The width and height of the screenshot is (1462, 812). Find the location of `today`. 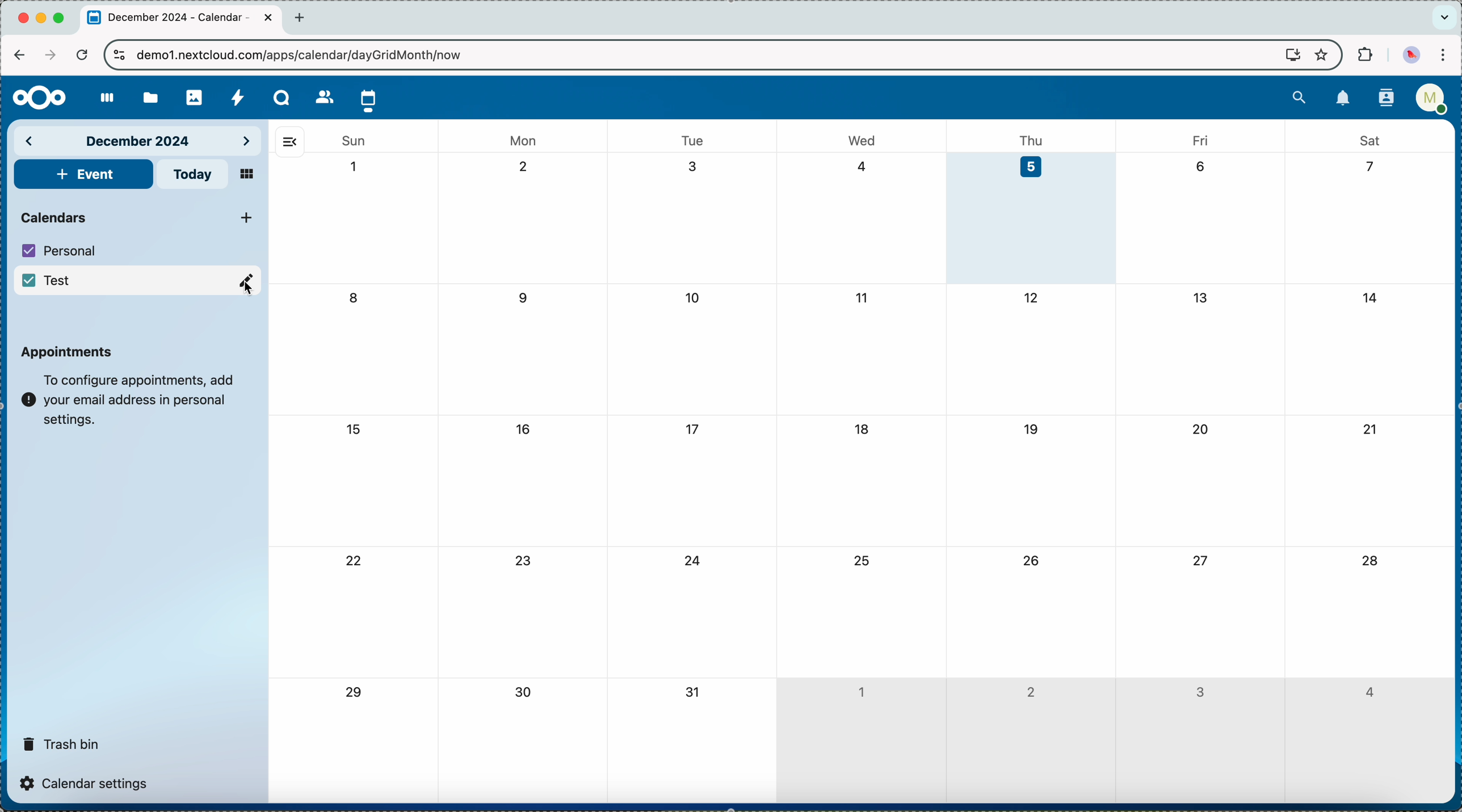

today is located at coordinates (194, 174).